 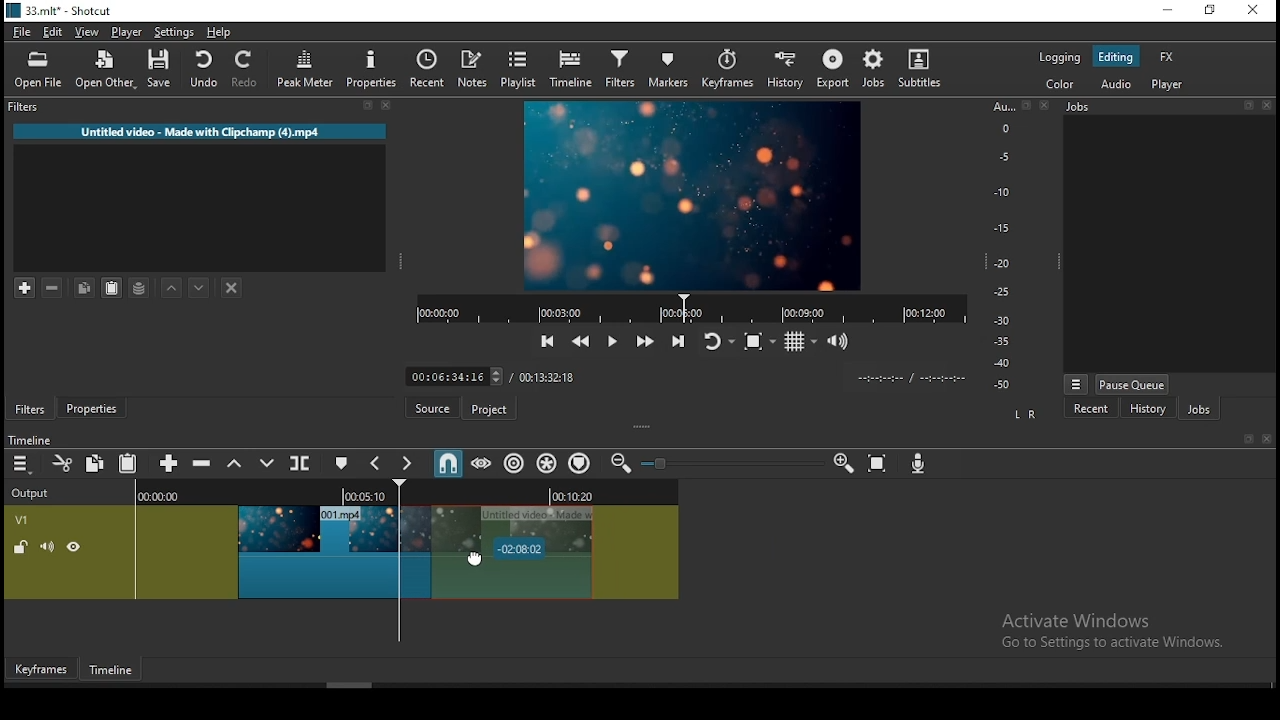 I want to click on fx, so click(x=1167, y=58).